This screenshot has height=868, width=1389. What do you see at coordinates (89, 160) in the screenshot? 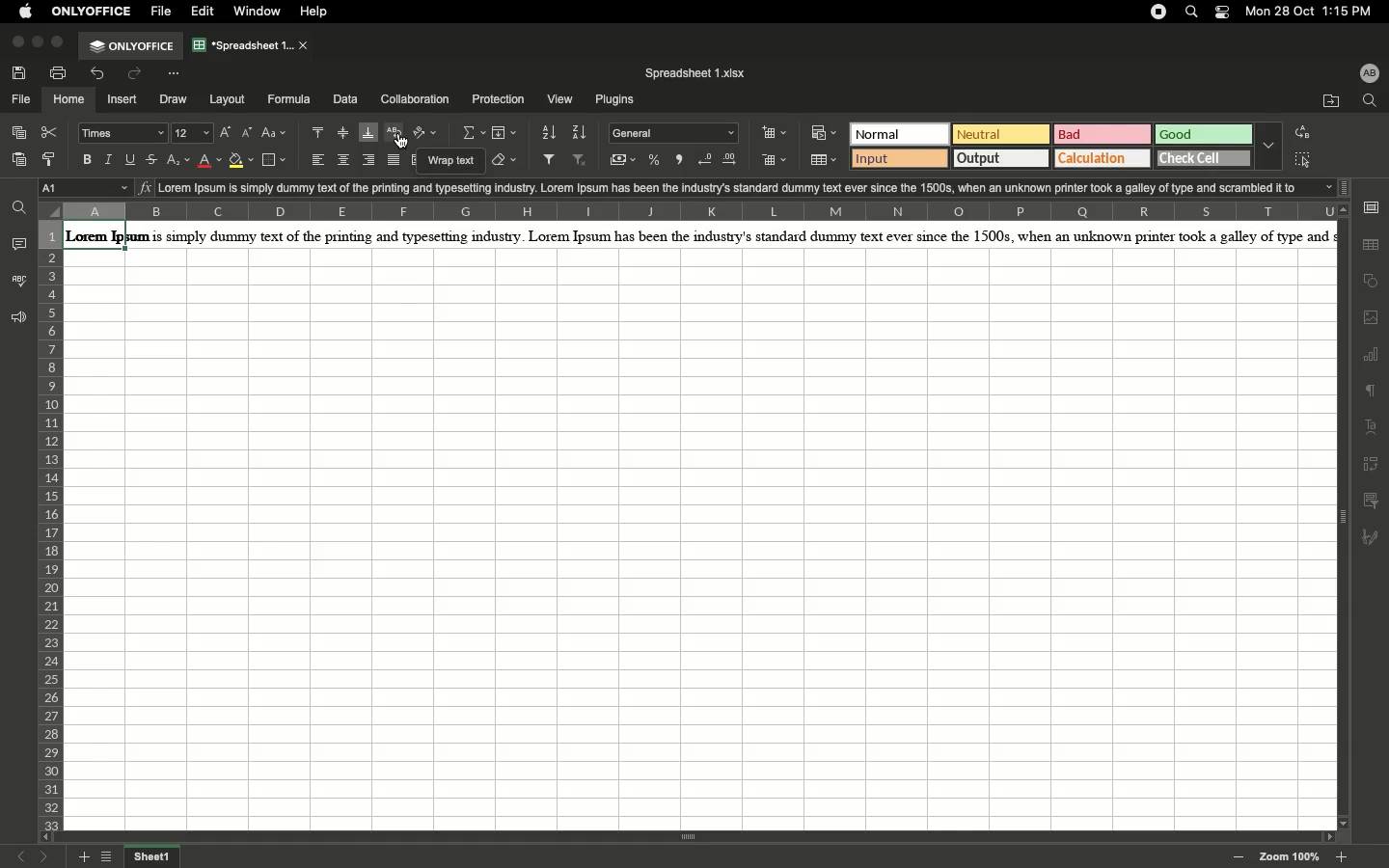
I see `Bold` at bounding box center [89, 160].